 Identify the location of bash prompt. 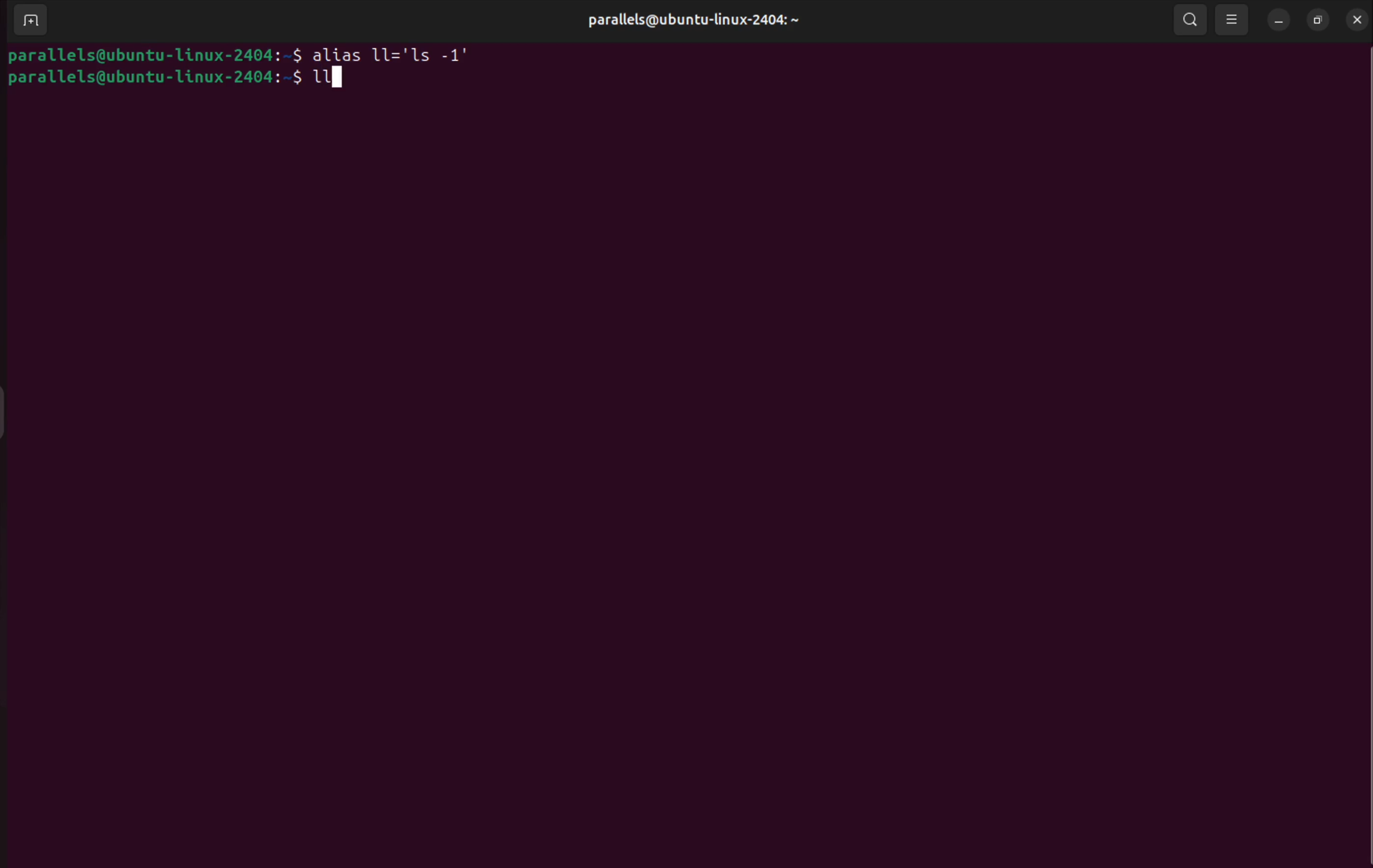
(153, 78).